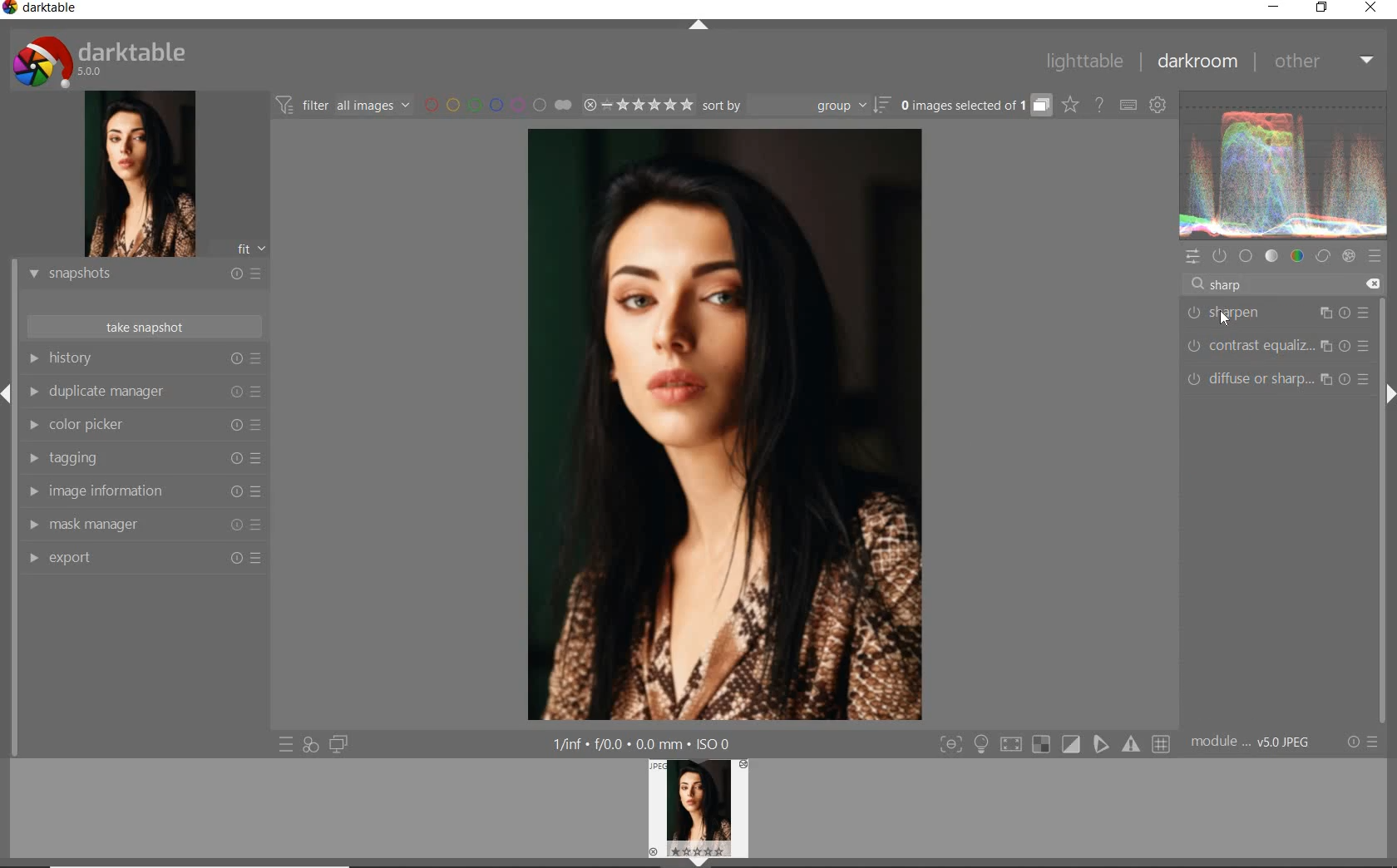 This screenshot has width=1397, height=868. What do you see at coordinates (1193, 60) in the screenshot?
I see `darkroom` at bounding box center [1193, 60].